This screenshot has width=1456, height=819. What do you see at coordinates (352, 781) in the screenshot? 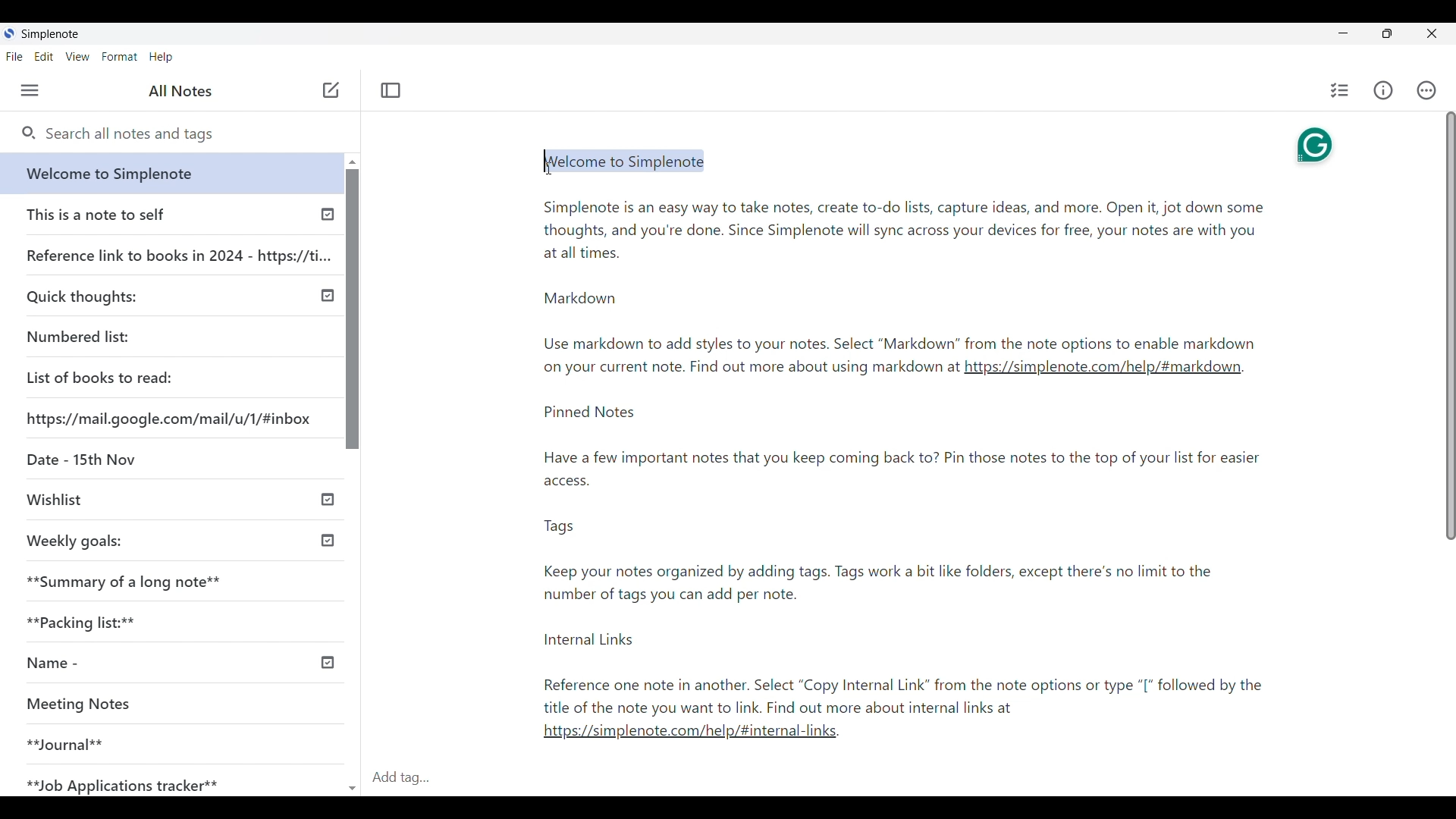
I see `Quick slide to bottom` at bounding box center [352, 781].